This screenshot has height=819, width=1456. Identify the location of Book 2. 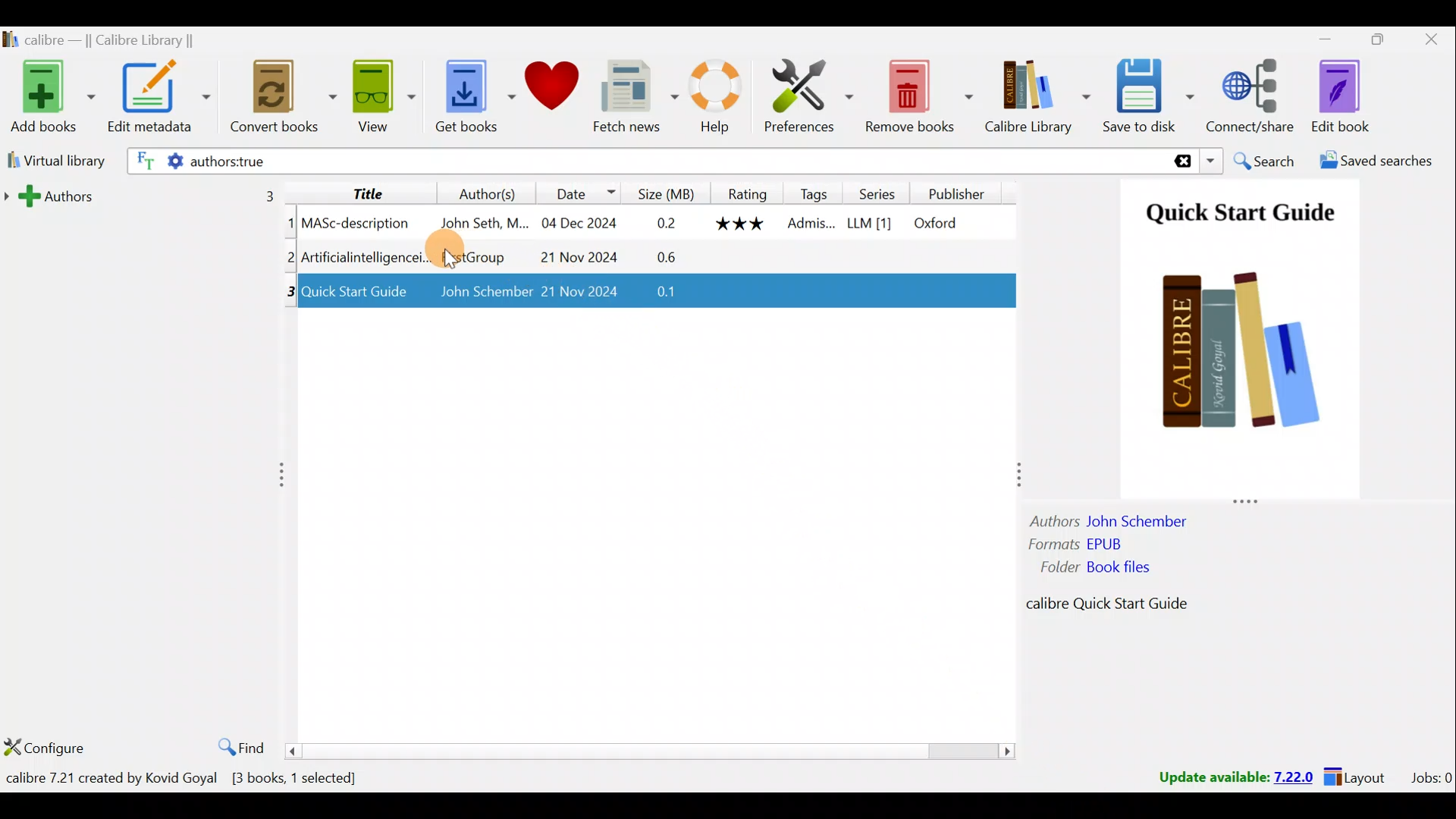
(647, 258).